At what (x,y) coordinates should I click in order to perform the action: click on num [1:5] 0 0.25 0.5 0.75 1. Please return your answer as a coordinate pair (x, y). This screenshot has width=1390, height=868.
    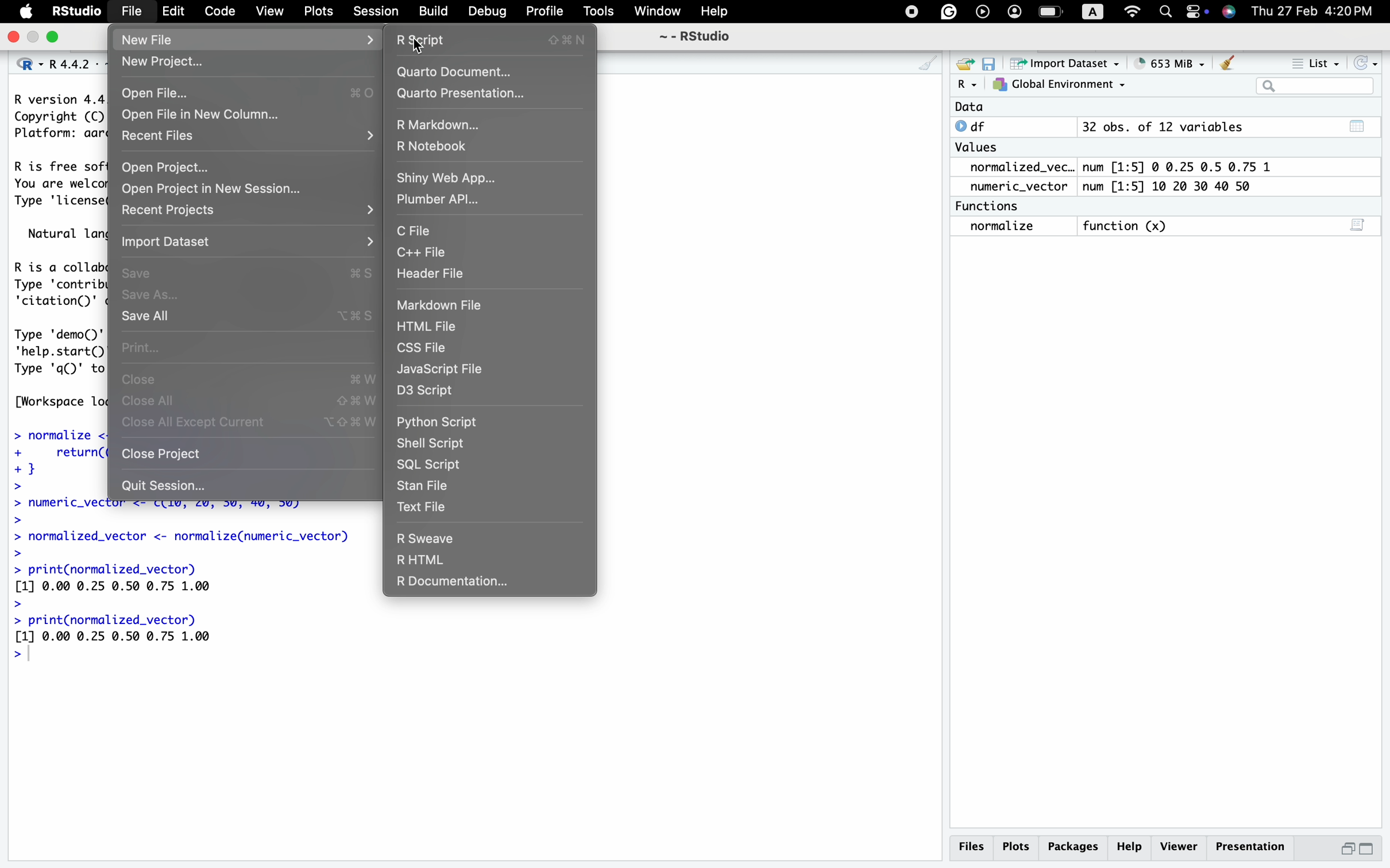
    Looking at the image, I should click on (1180, 167).